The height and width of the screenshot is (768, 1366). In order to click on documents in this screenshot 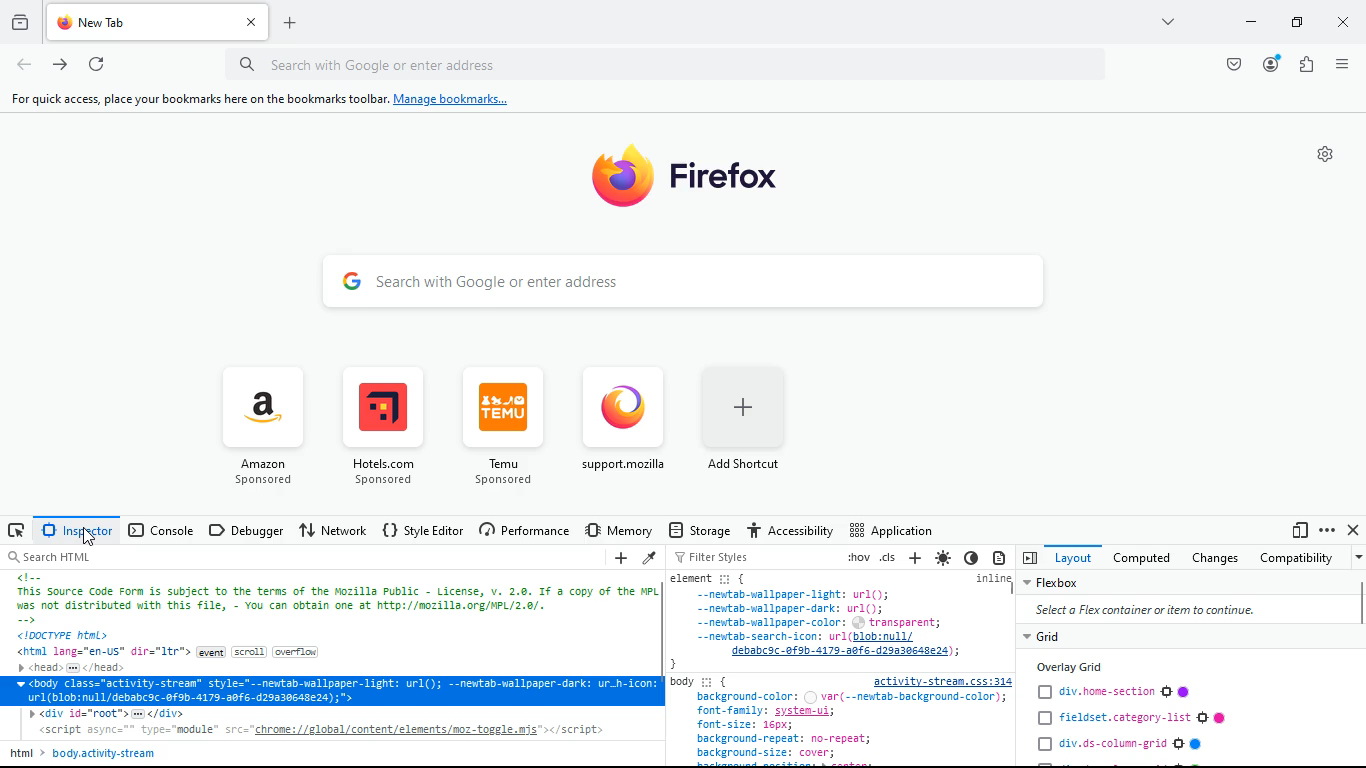, I will do `click(1001, 557)`.